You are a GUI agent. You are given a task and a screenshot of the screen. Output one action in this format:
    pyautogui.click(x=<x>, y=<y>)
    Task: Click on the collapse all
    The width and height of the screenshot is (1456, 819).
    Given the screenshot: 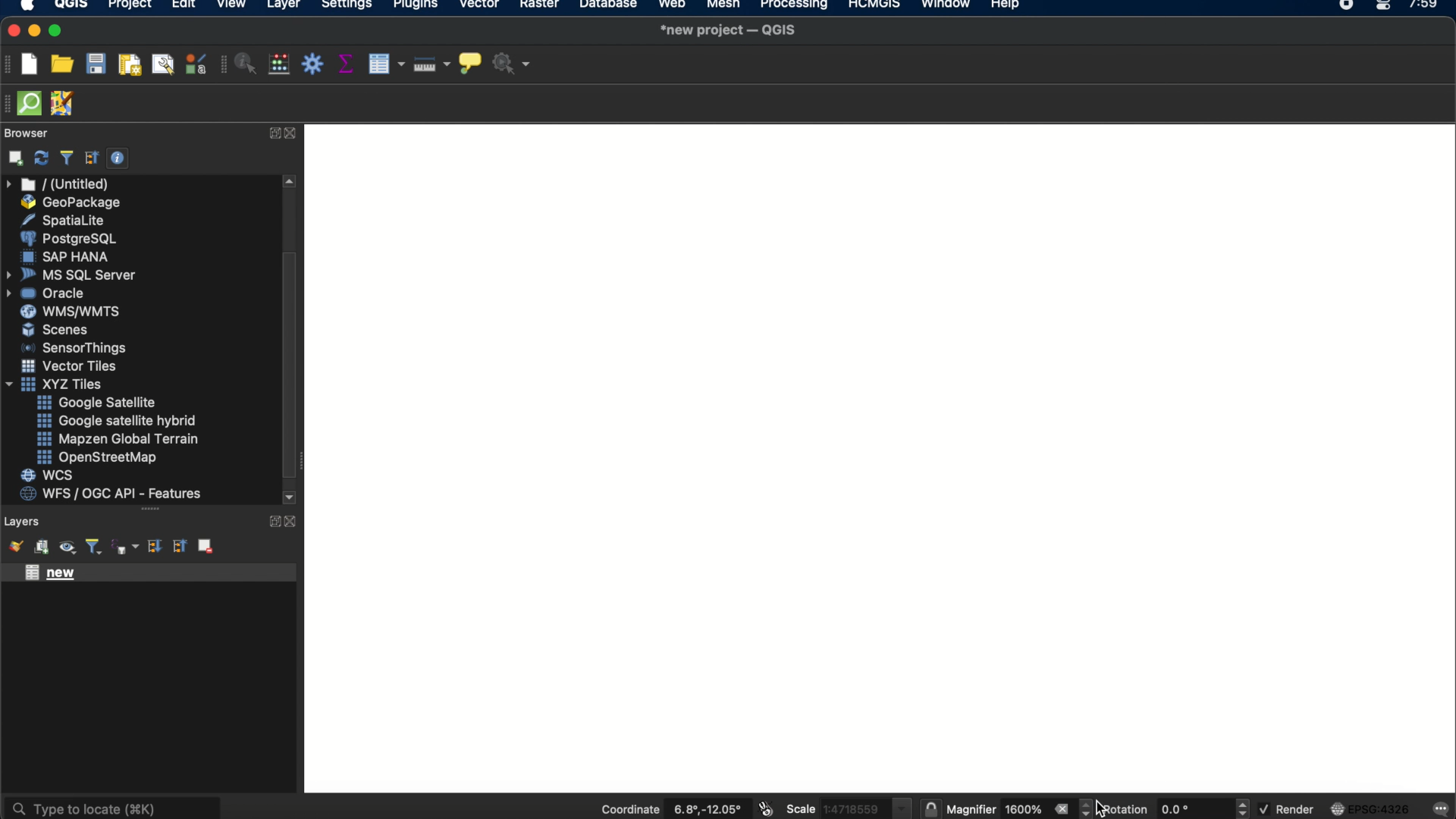 What is the action you would take?
    pyautogui.click(x=178, y=545)
    